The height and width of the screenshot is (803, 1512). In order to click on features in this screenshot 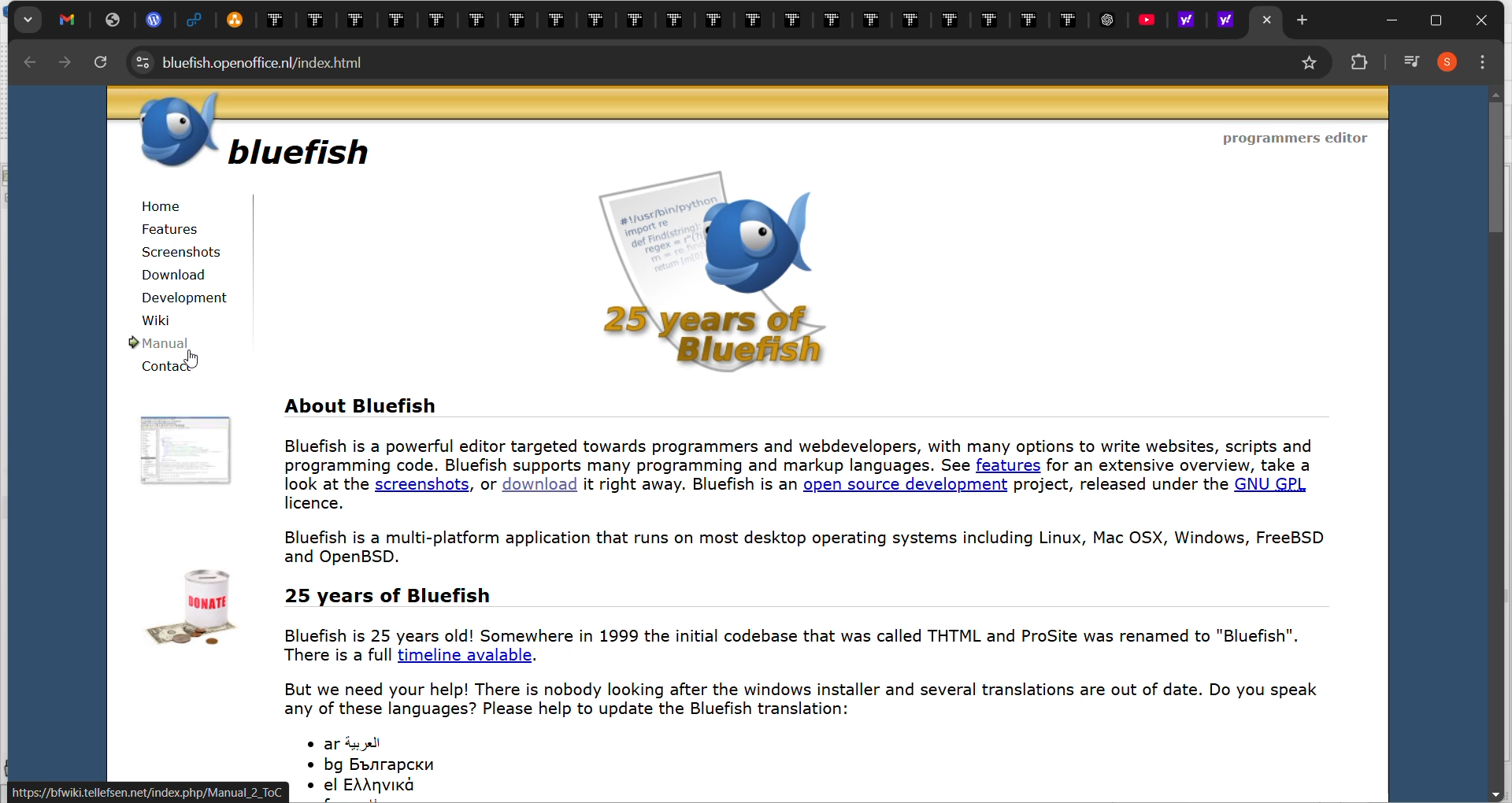, I will do `click(177, 230)`.